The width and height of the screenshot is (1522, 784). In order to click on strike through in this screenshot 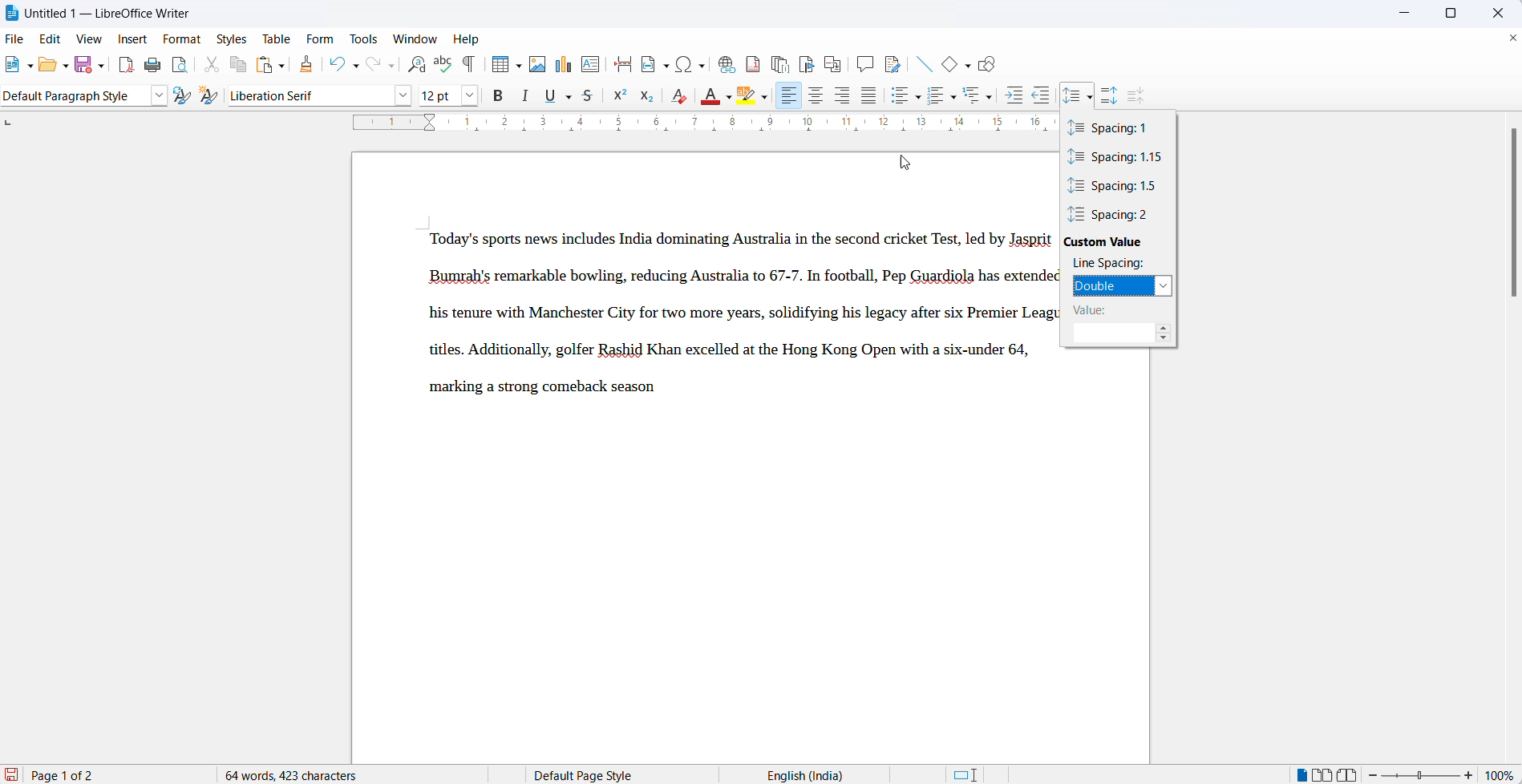, I will do `click(590, 98)`.